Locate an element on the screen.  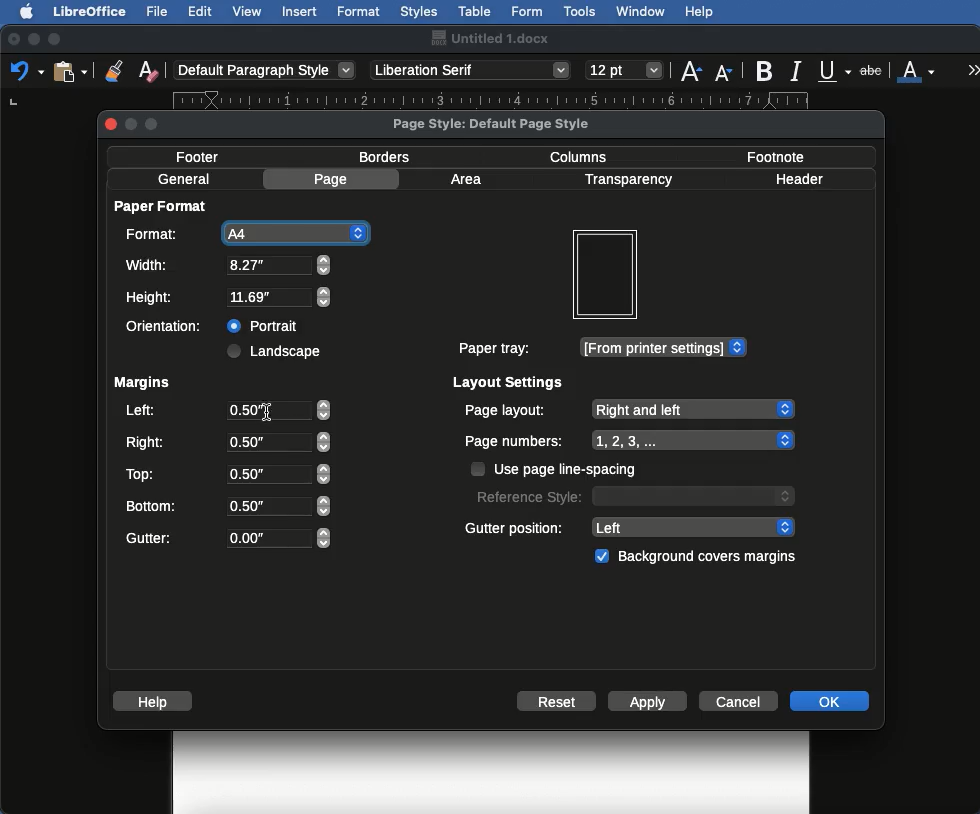
Gutter is located at coordinates (228, 539).